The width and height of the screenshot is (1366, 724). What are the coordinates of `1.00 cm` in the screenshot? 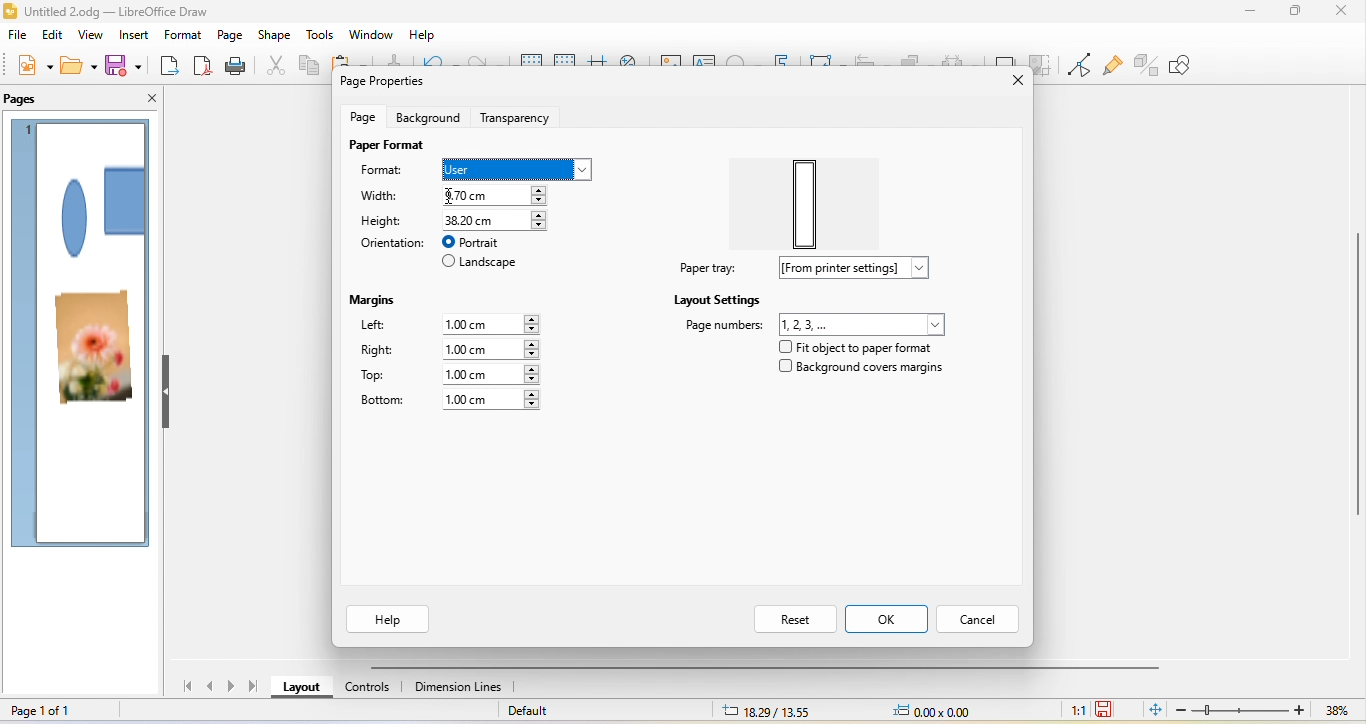 It's located at (496, 402).